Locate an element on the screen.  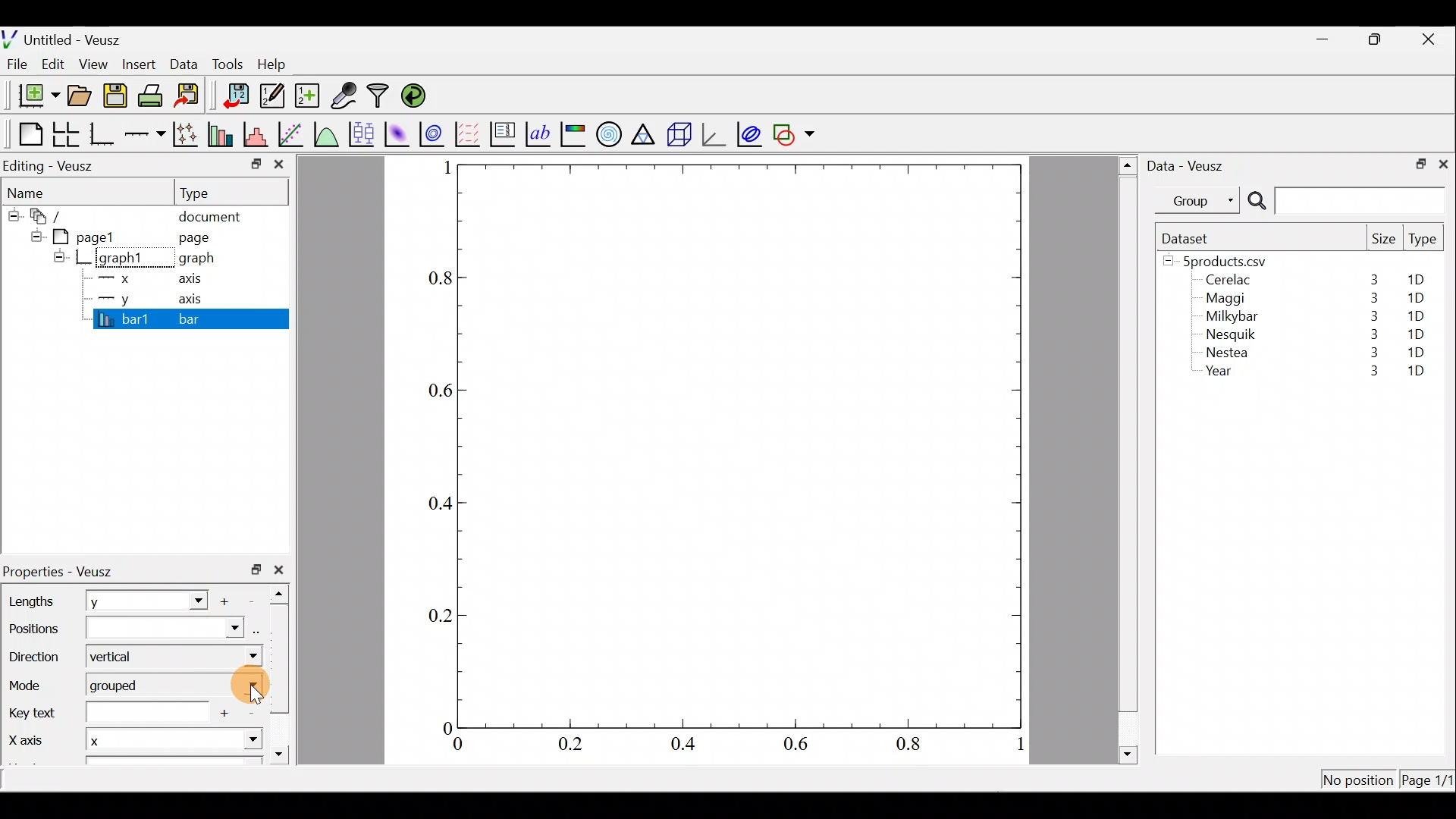
3d scene is located at coordinates (678, 134).